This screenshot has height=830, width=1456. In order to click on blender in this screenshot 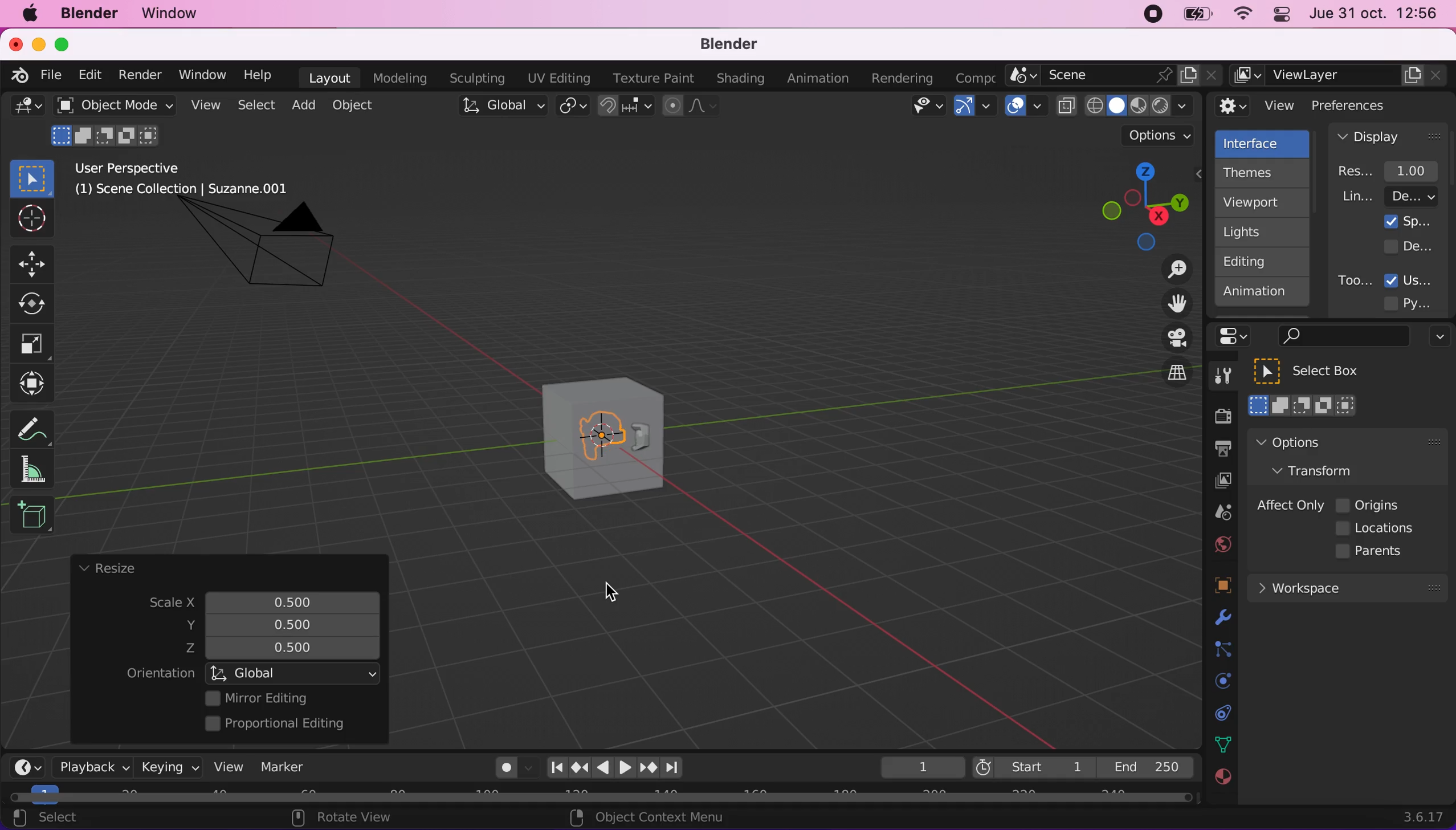, I will do `click(721, 45)`.